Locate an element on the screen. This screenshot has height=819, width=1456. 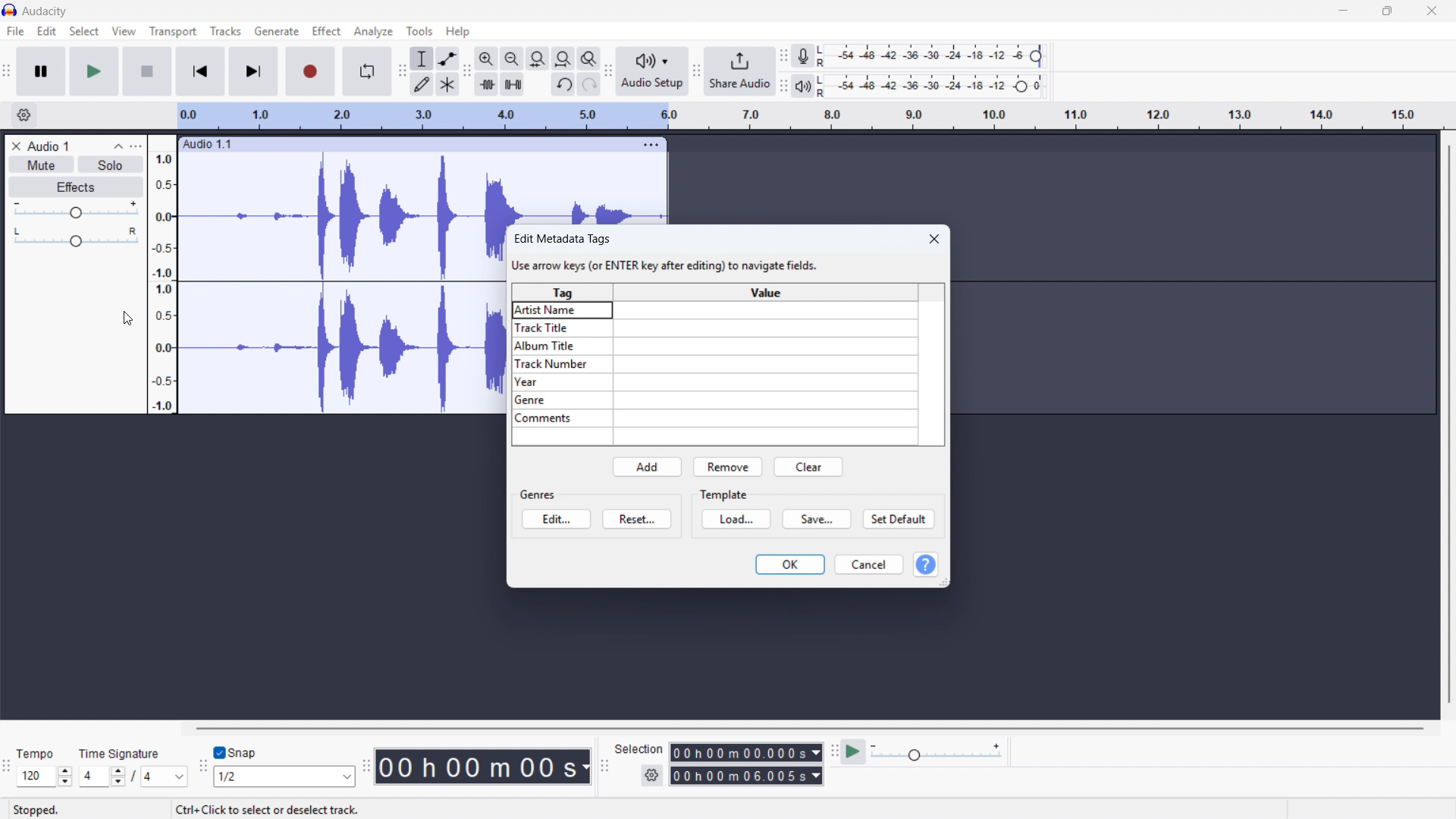
minimize is located at coordinates (1344, 11).